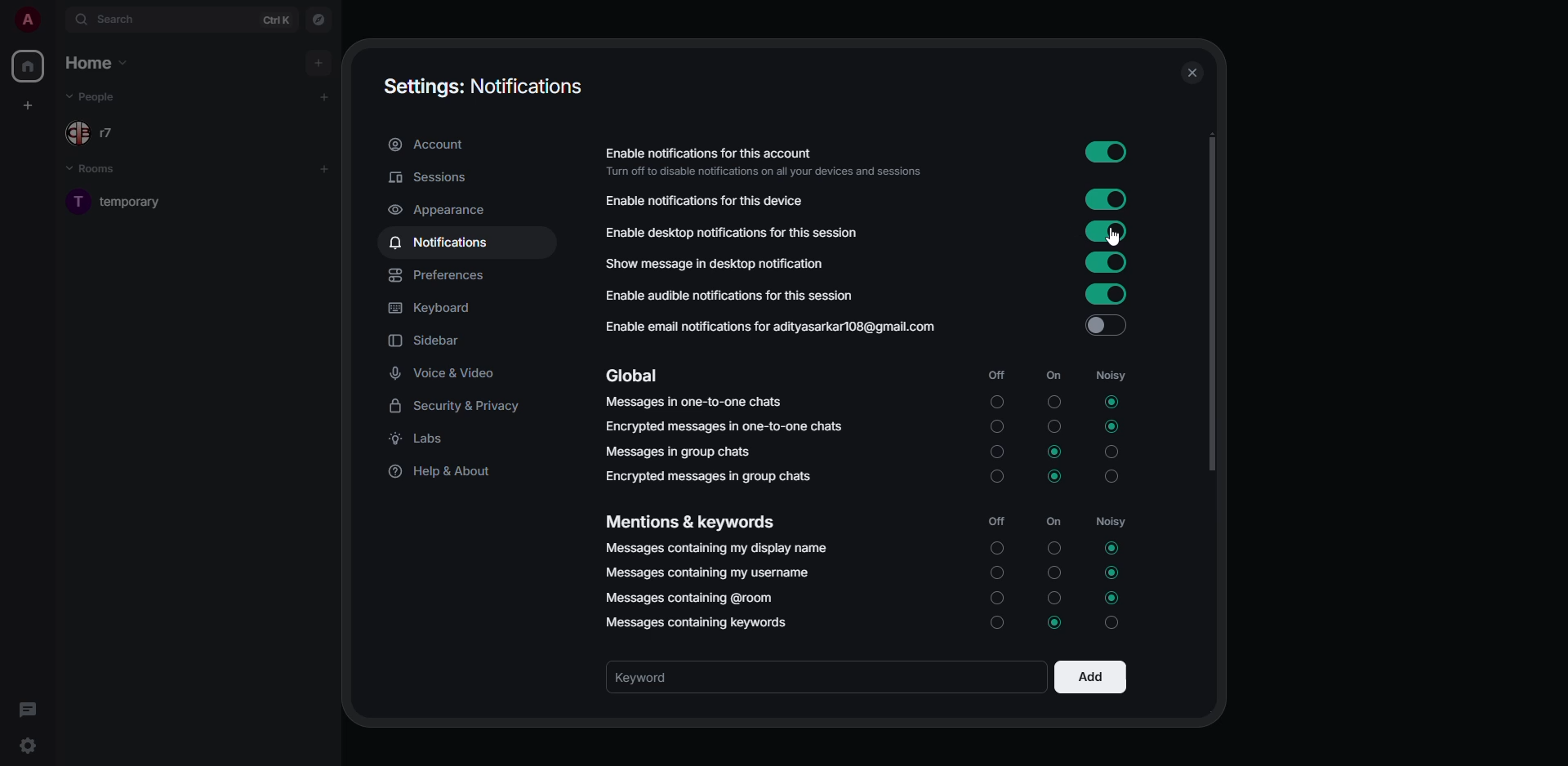 The width and height of the screenshot is (1568, 766). I want to click on add, so click(317, 61).